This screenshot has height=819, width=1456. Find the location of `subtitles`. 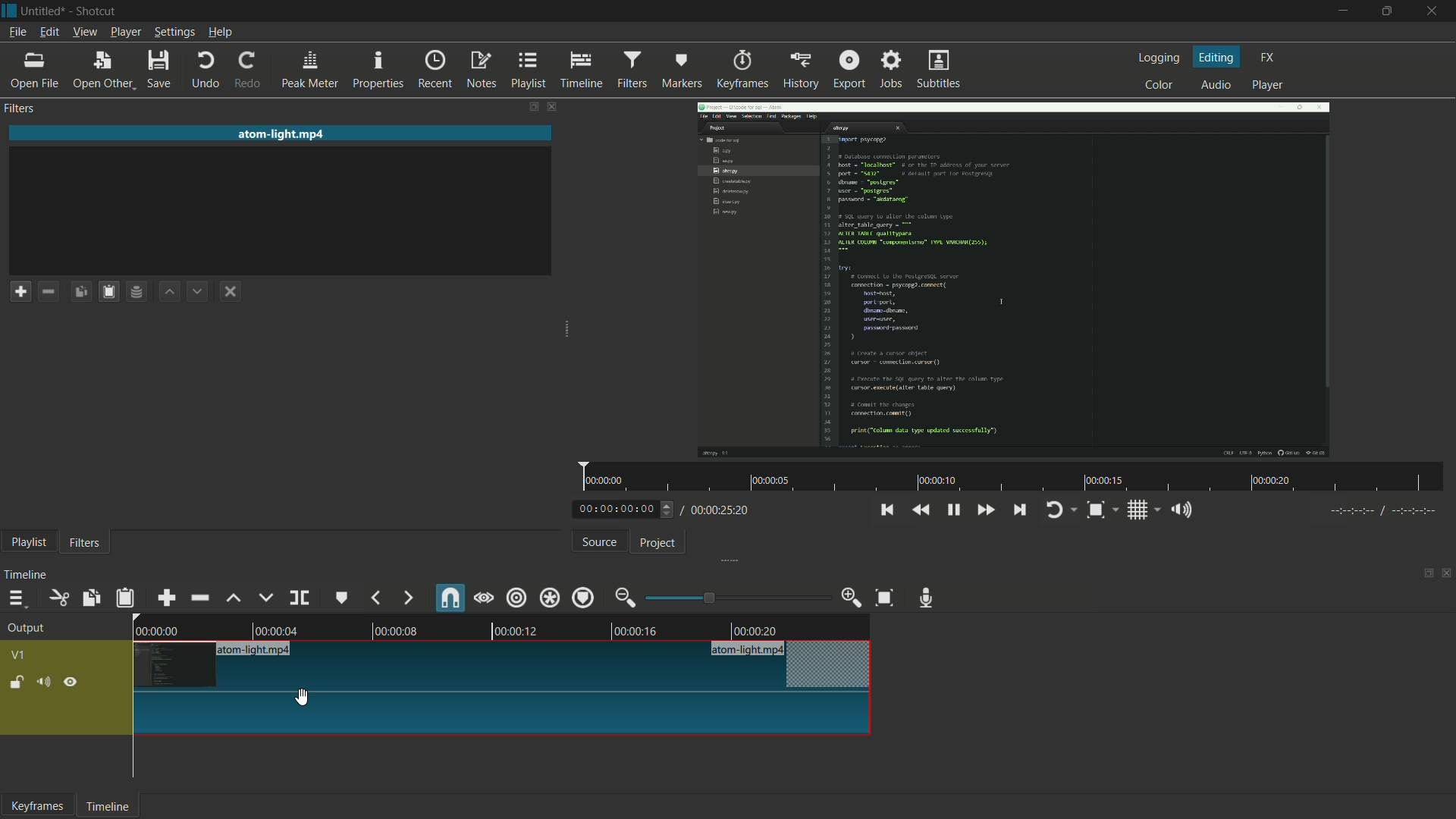

subtitles is located at coordinates (939, 68).